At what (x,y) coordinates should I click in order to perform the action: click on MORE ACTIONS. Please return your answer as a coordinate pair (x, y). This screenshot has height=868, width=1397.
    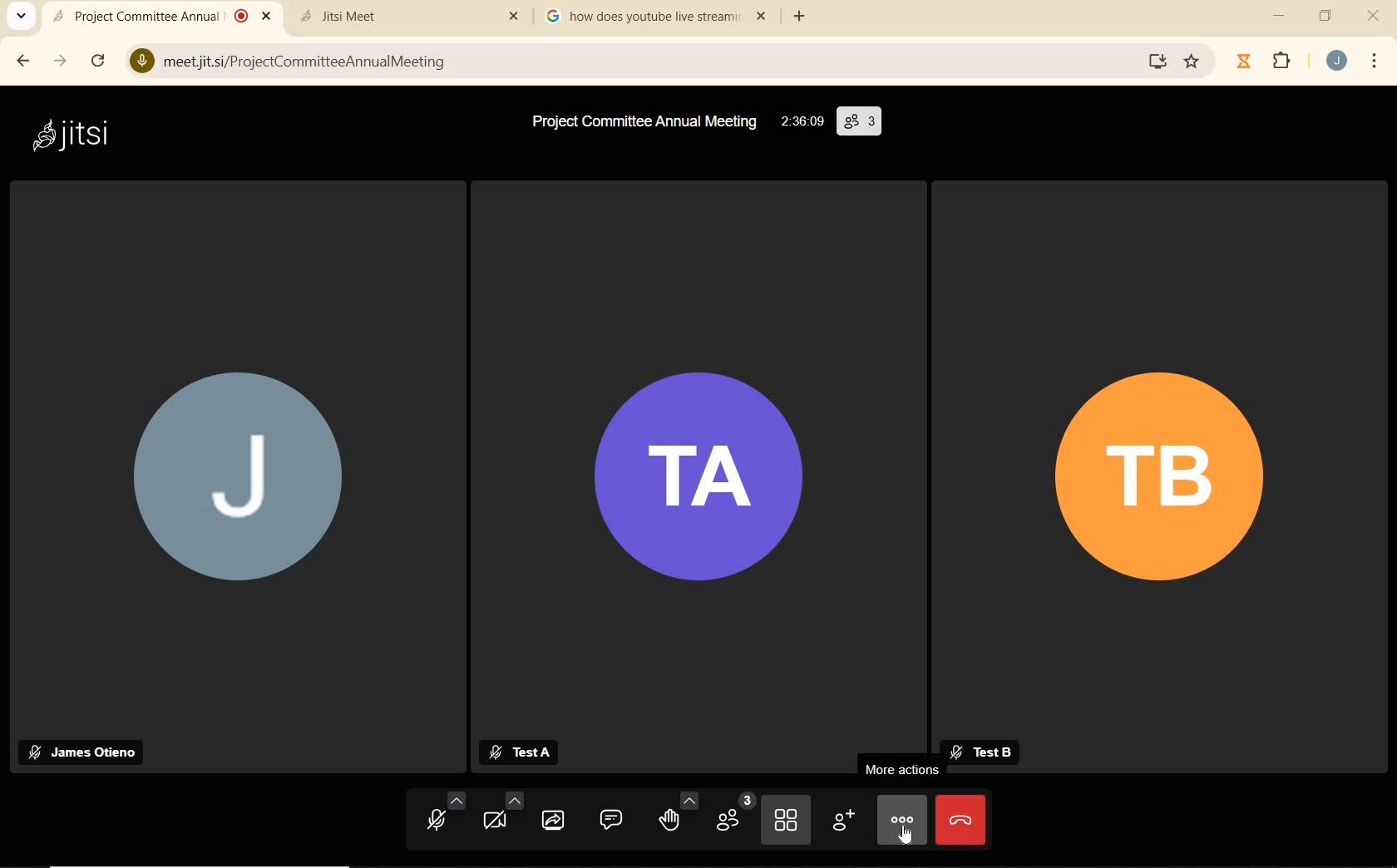
    Looking at the image, I should click on (901, 770).